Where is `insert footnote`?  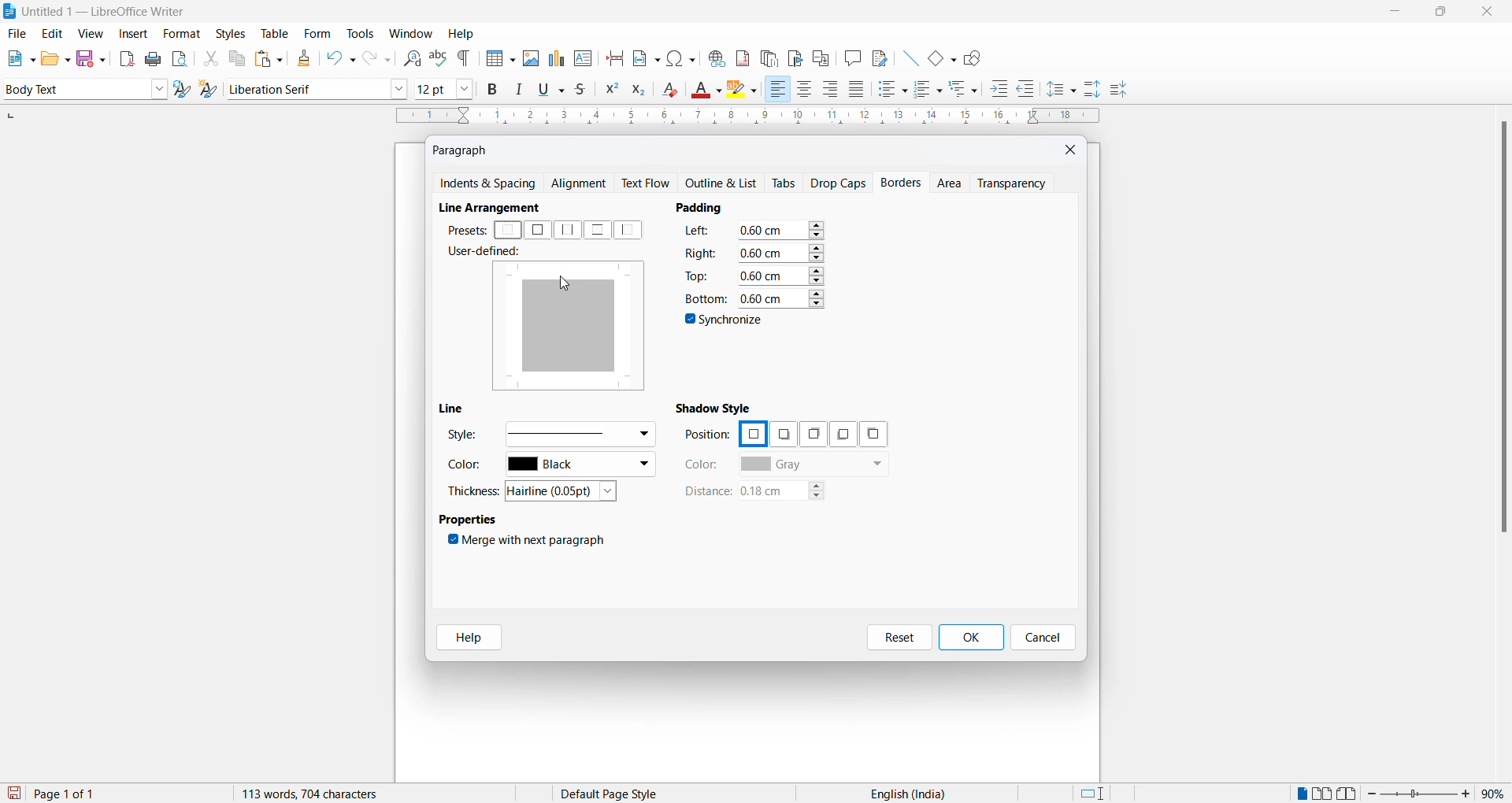 insert footnote is located at coordinates (739, 55).